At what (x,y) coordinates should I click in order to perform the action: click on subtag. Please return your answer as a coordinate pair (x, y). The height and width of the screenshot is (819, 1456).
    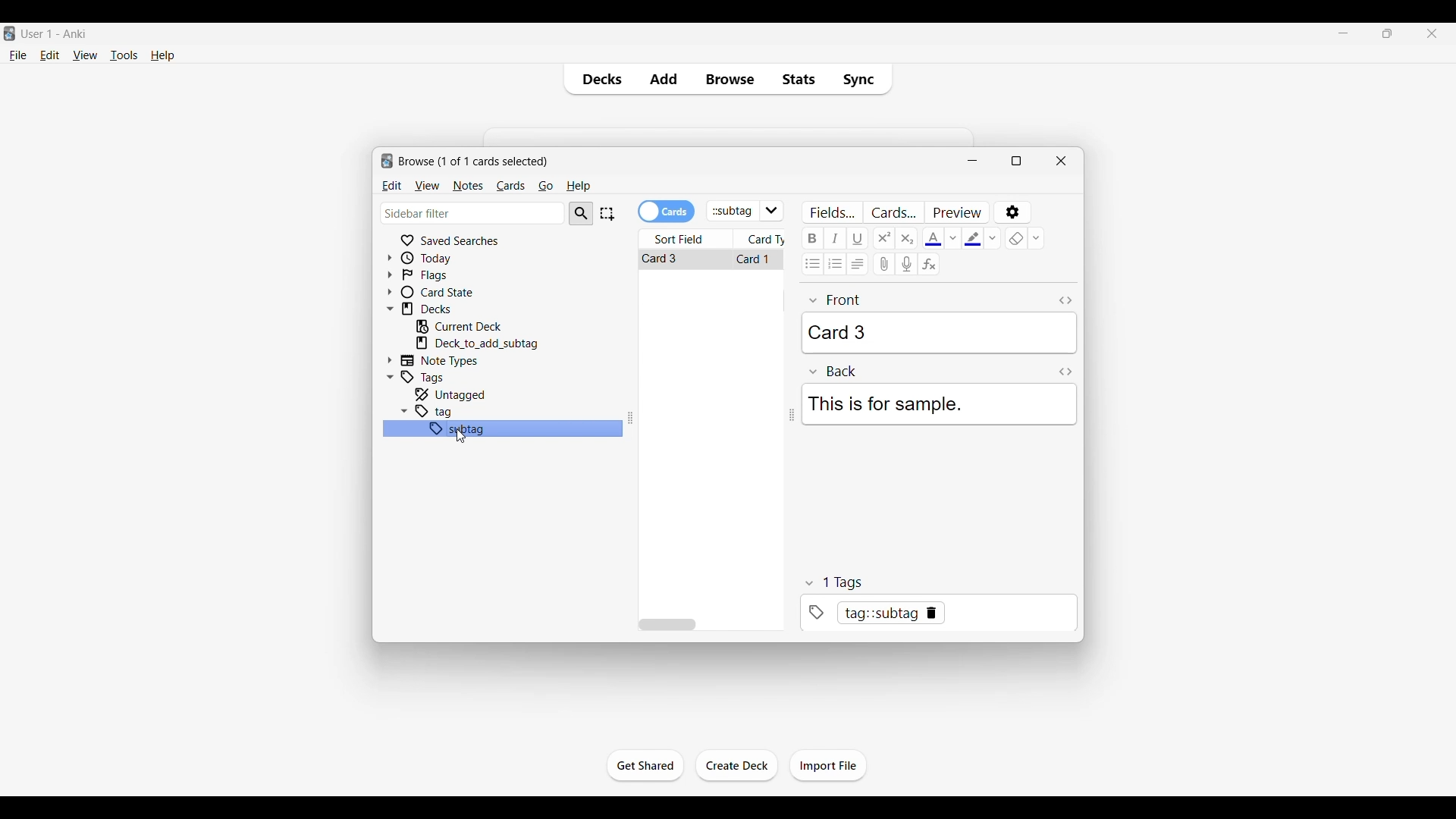
    Looking at the image, I should click on (504, 429).